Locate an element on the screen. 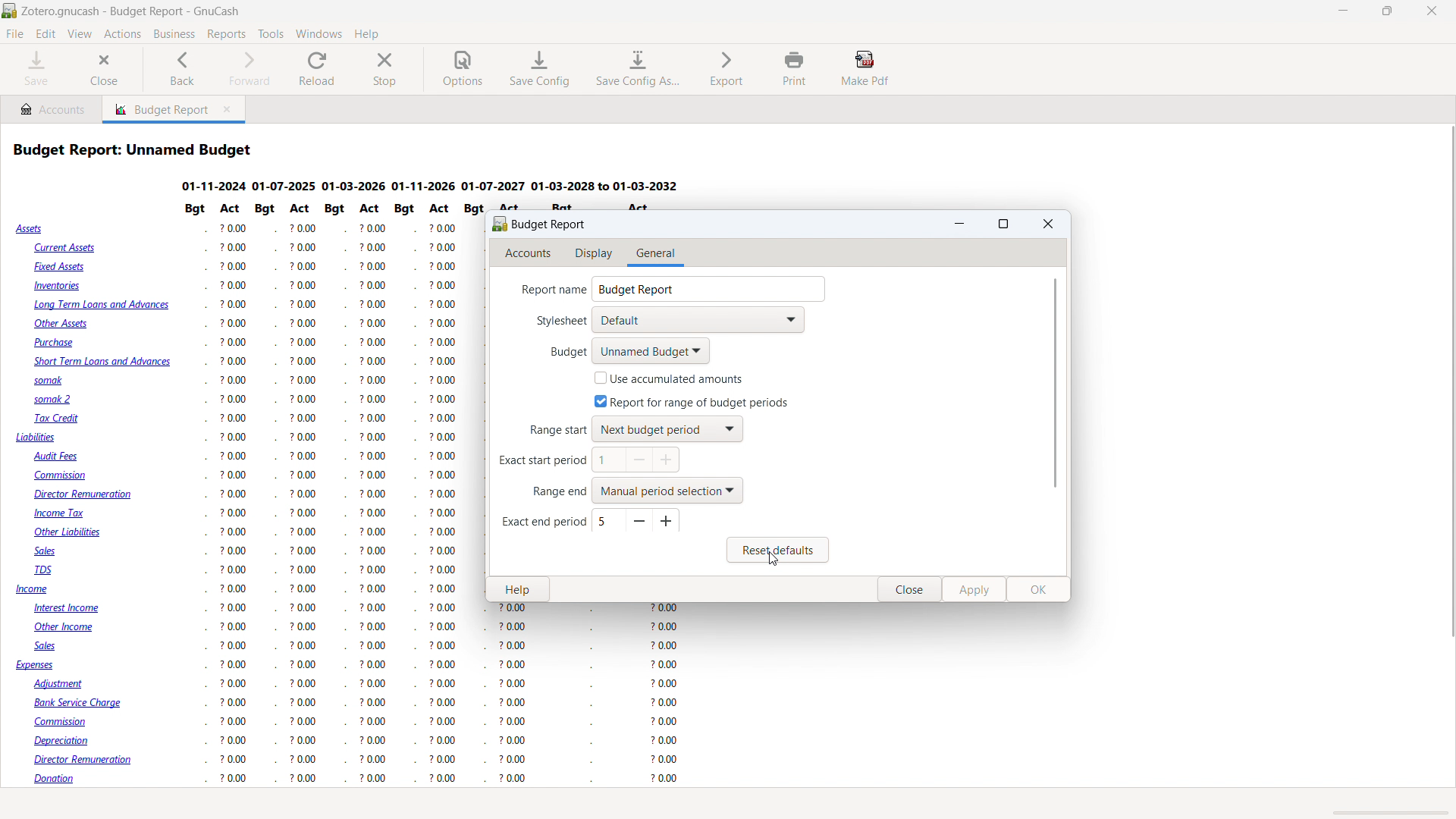 The image size is (1456, 819). decrease end period is located at coordinates (640, 521).